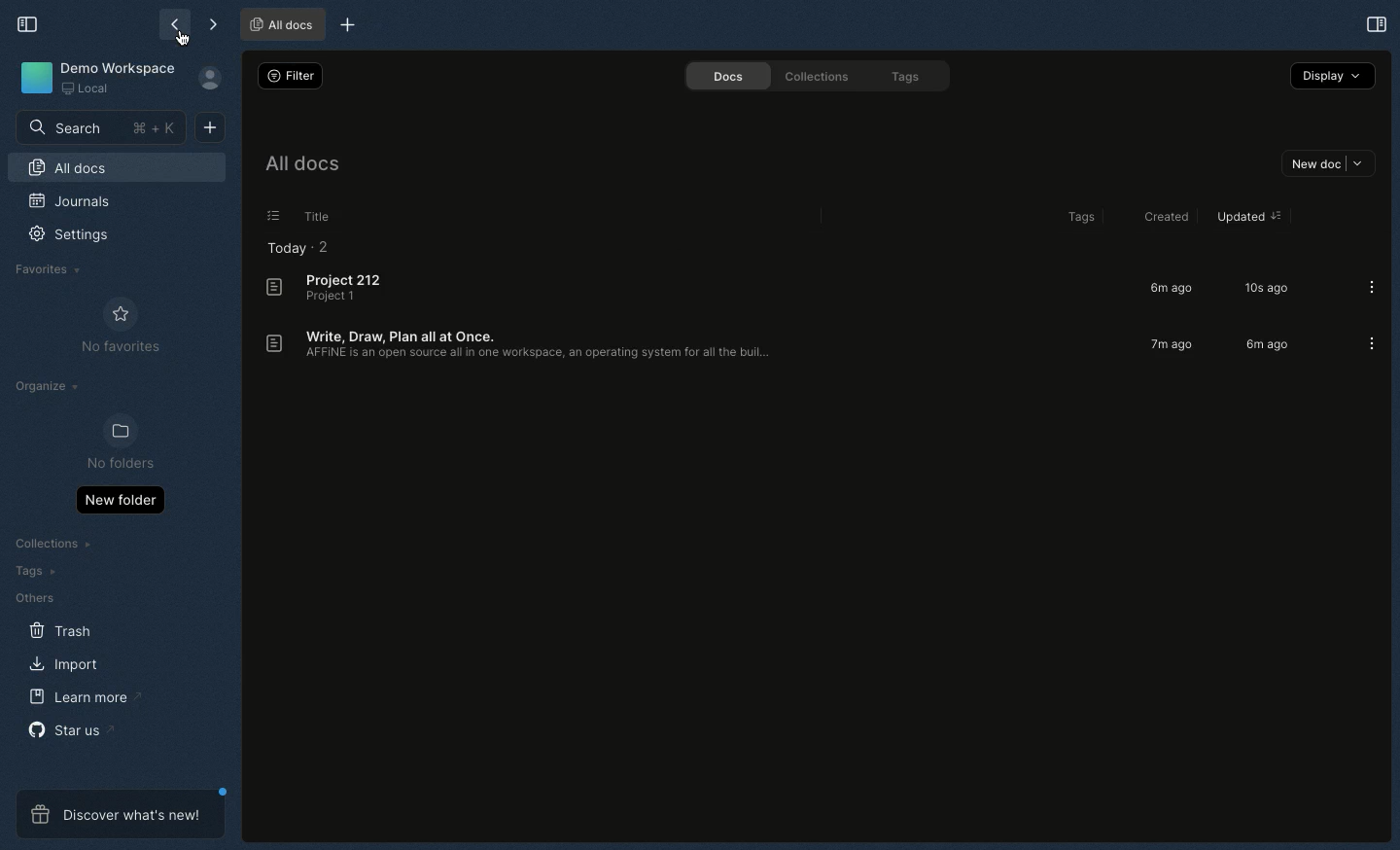 This screenshot has width=1400, height=850. I want to click on Back, so click(172, 23).